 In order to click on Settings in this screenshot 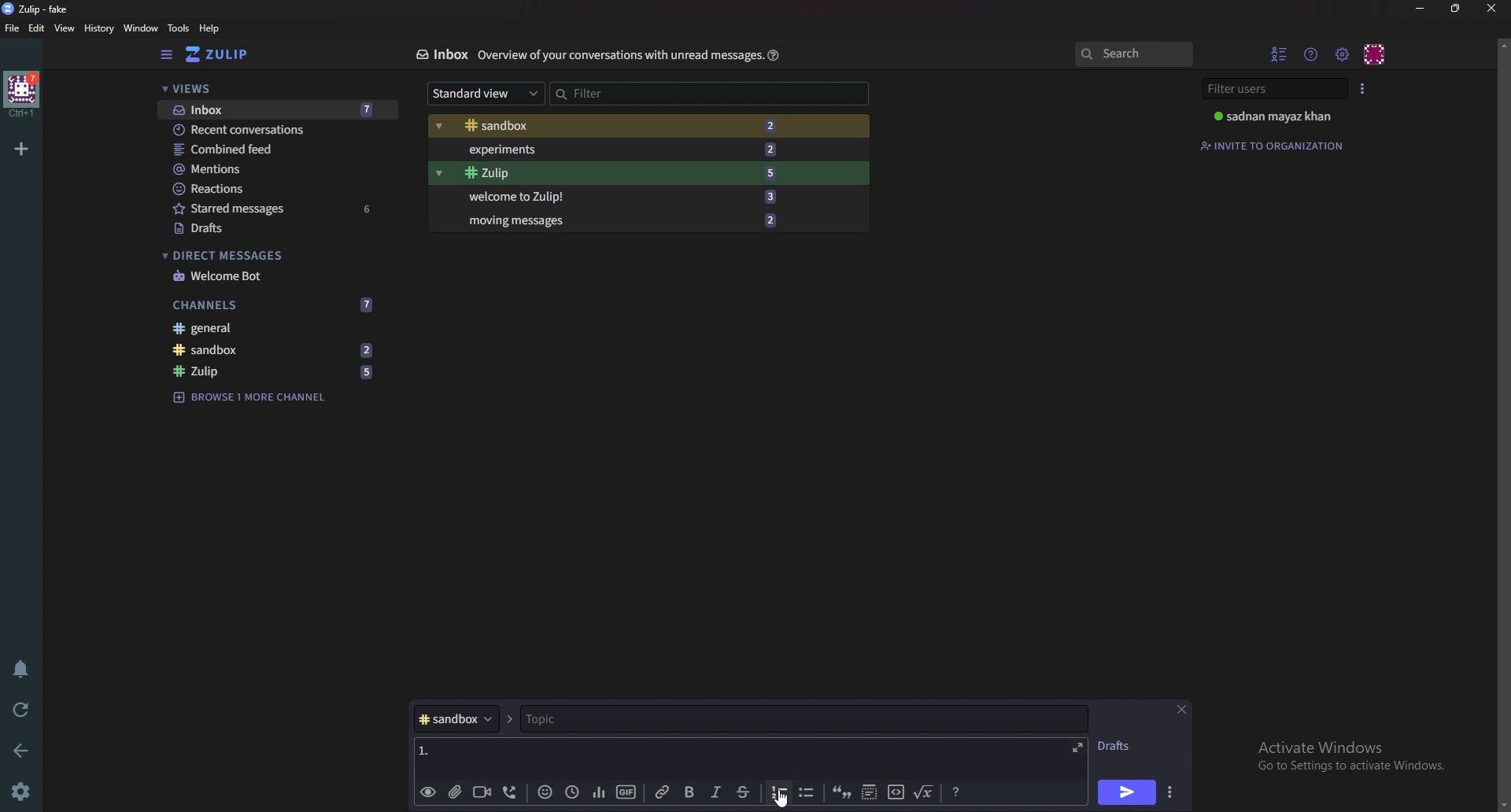, I will do `click(24, 791)`.